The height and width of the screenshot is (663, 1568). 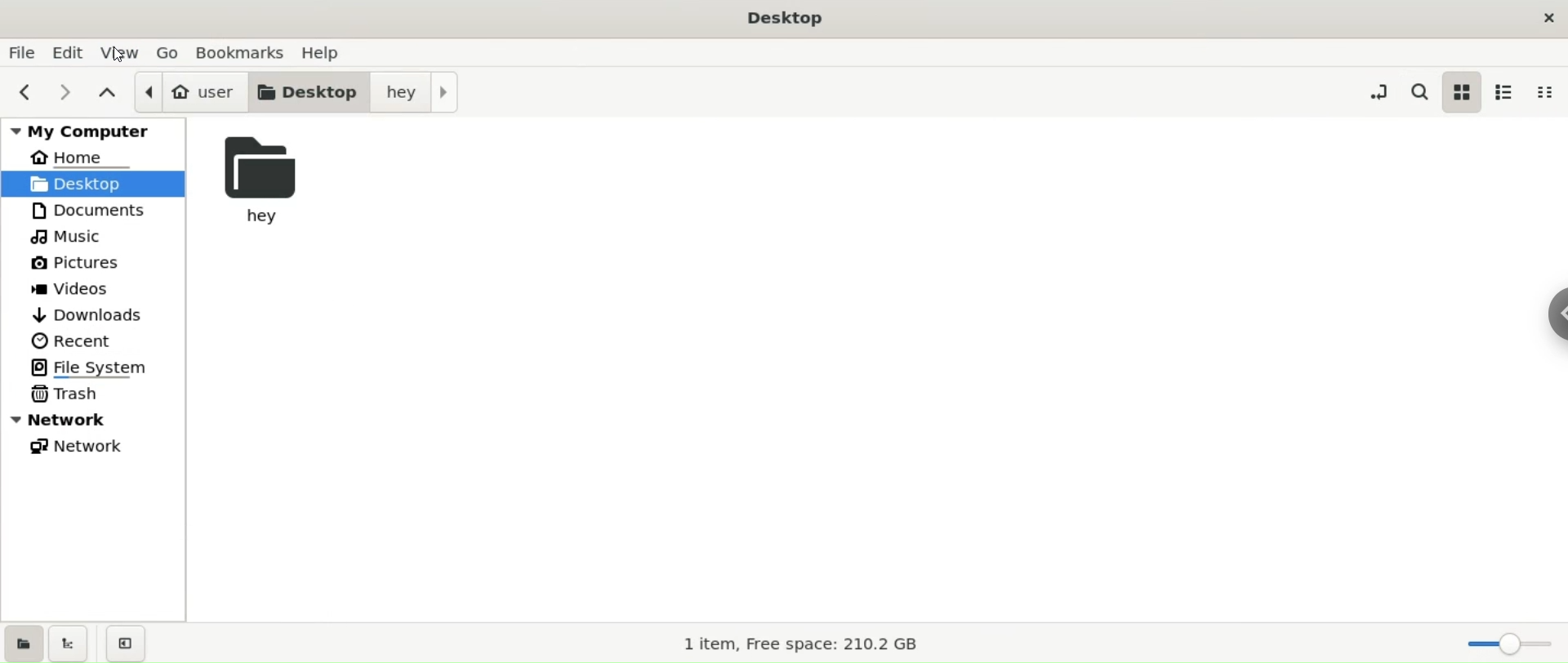 What do you see at coordinates (1379, 90) in the screenshot?
I see `toggle loction entry` at bounding box center [1379, 90].